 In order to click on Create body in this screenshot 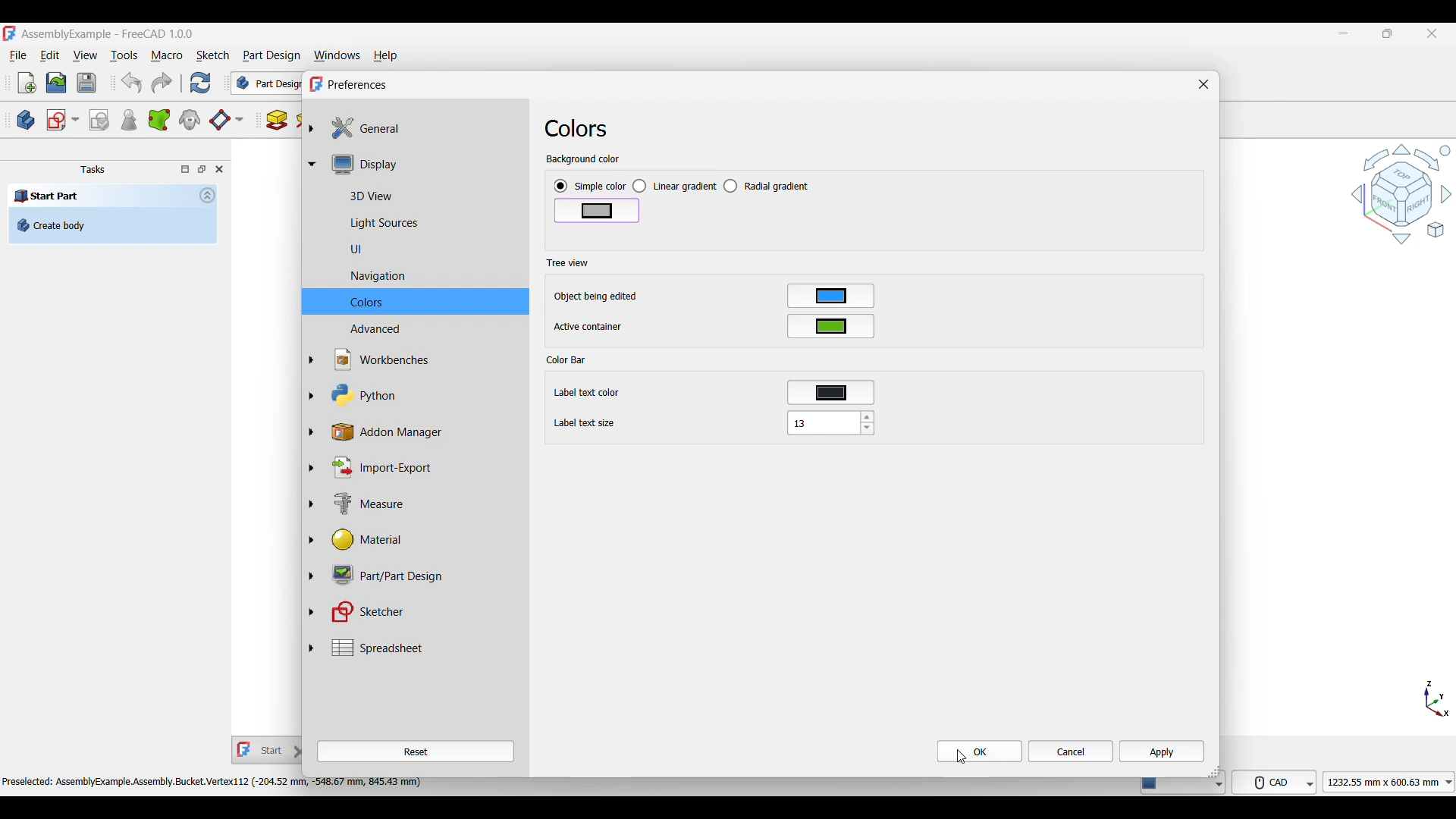, I will do `click(112, 225)`.